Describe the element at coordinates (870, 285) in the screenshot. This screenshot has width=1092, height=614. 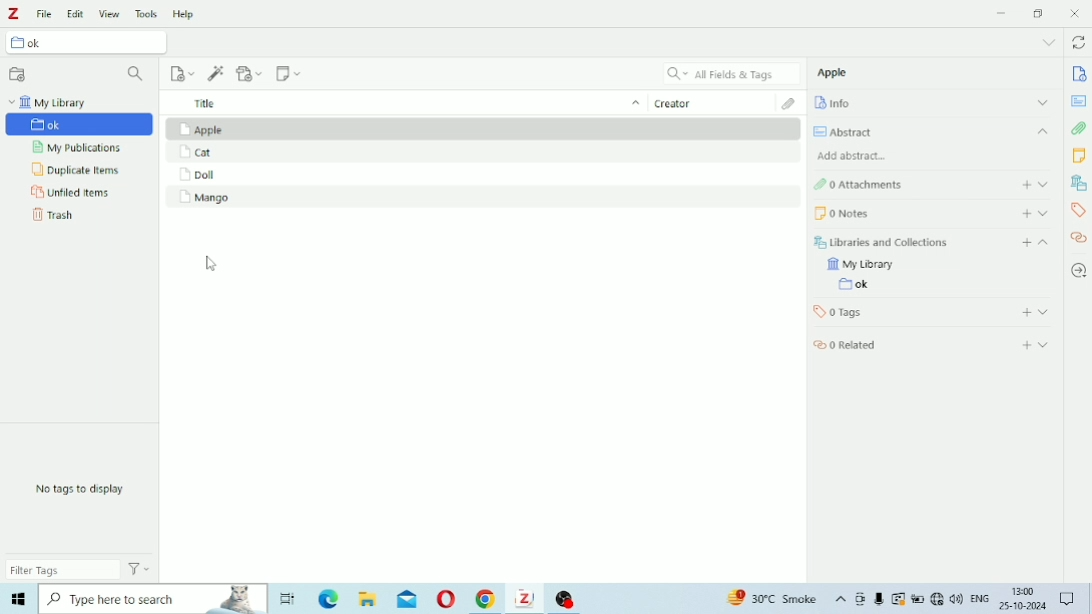
I see `Untitled` at that location.